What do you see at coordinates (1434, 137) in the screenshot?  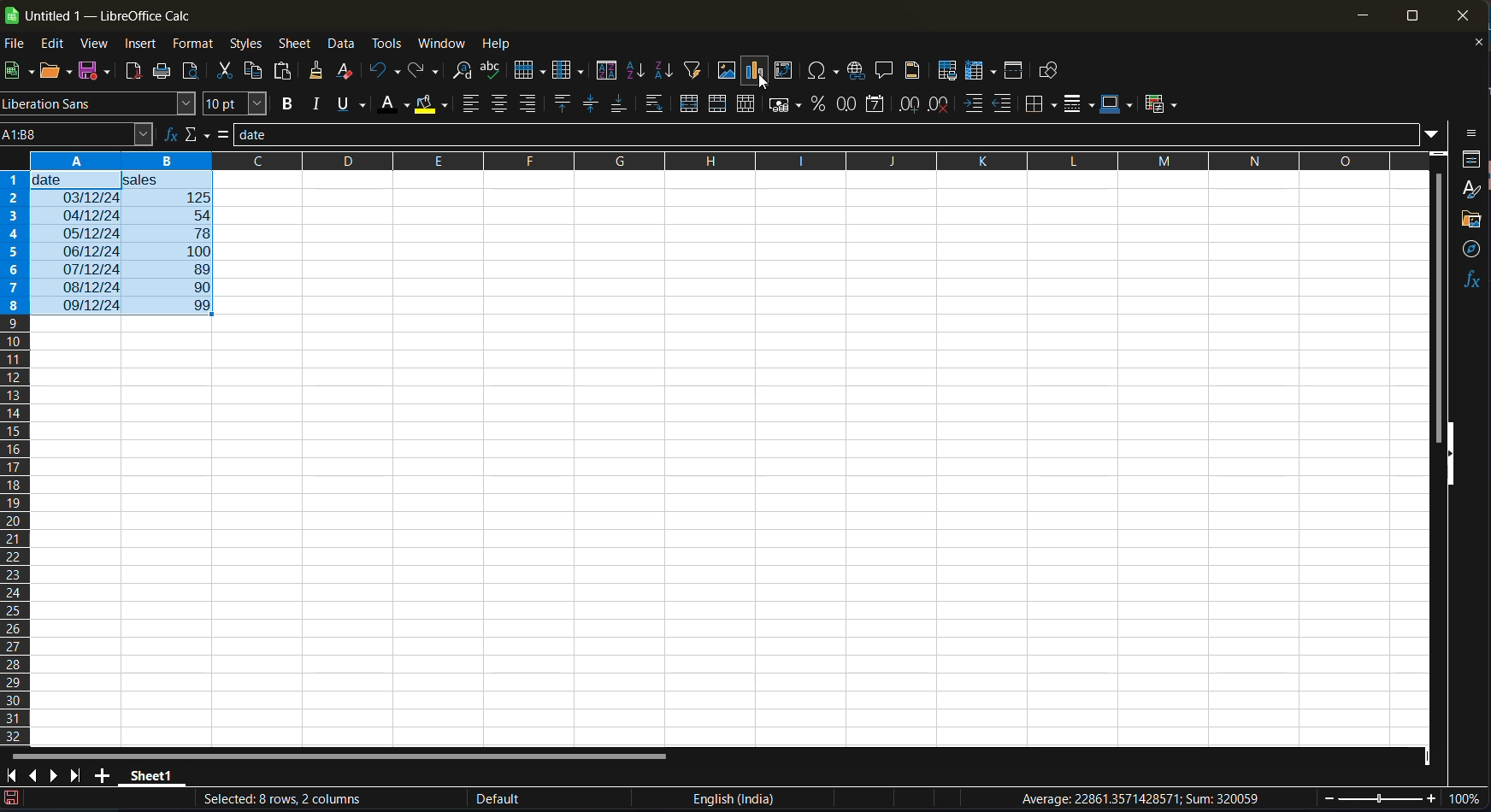 I see `expand formula bar` at bounding box center [1434, 137].